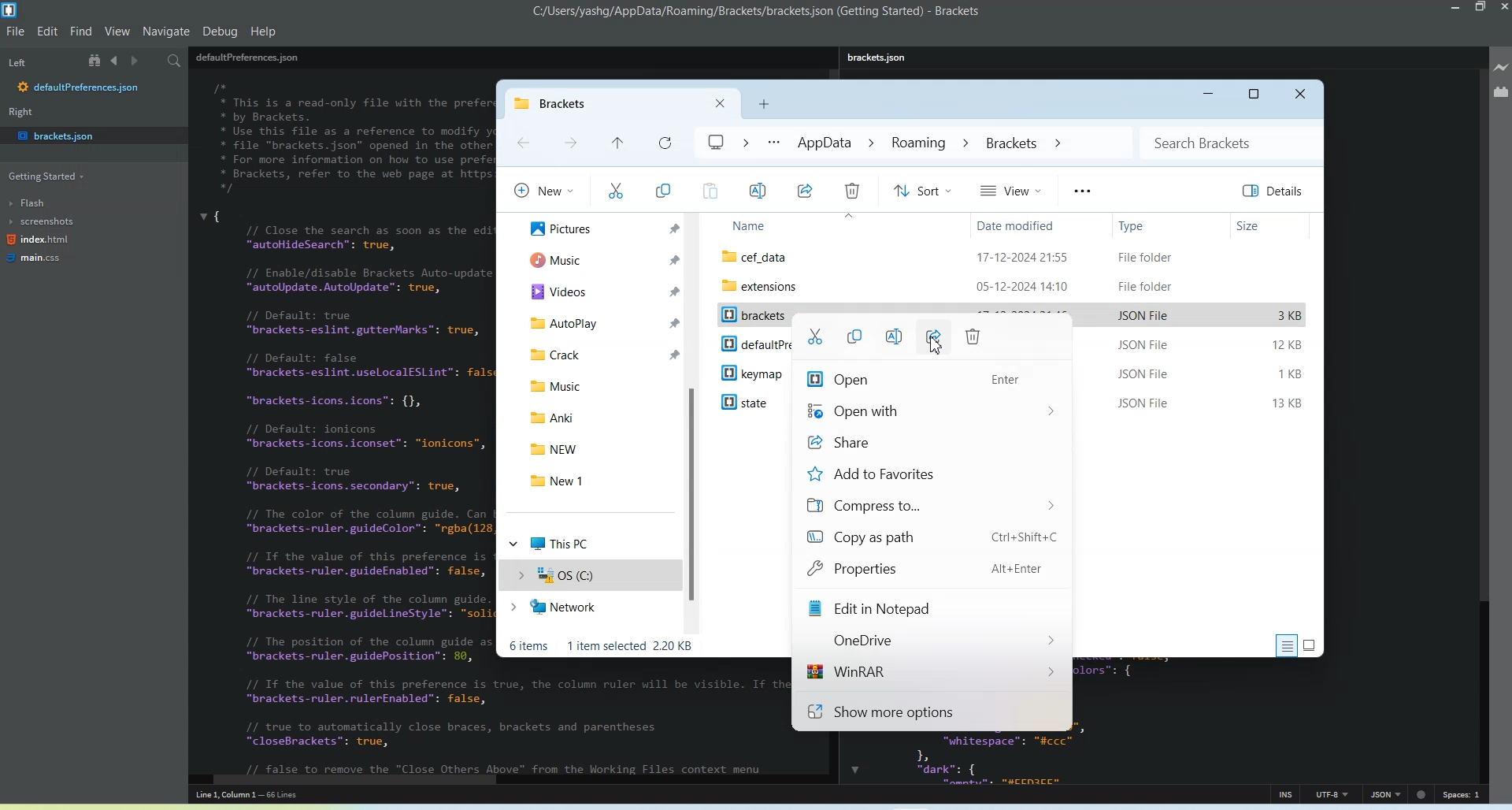  I want to click on Keymap, so click(751, 373).